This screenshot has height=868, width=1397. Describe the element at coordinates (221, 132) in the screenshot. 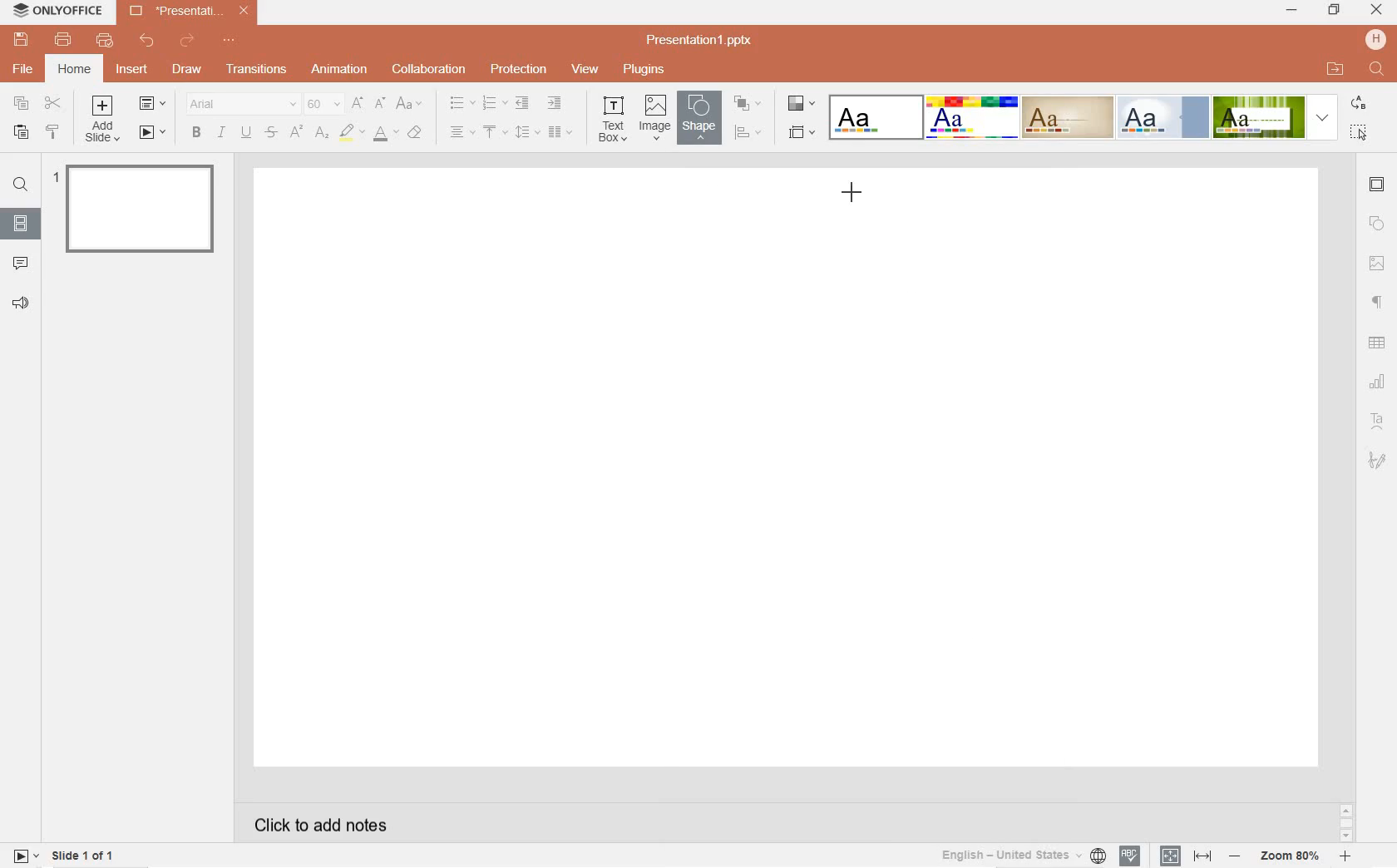

I see `italic` at that location.